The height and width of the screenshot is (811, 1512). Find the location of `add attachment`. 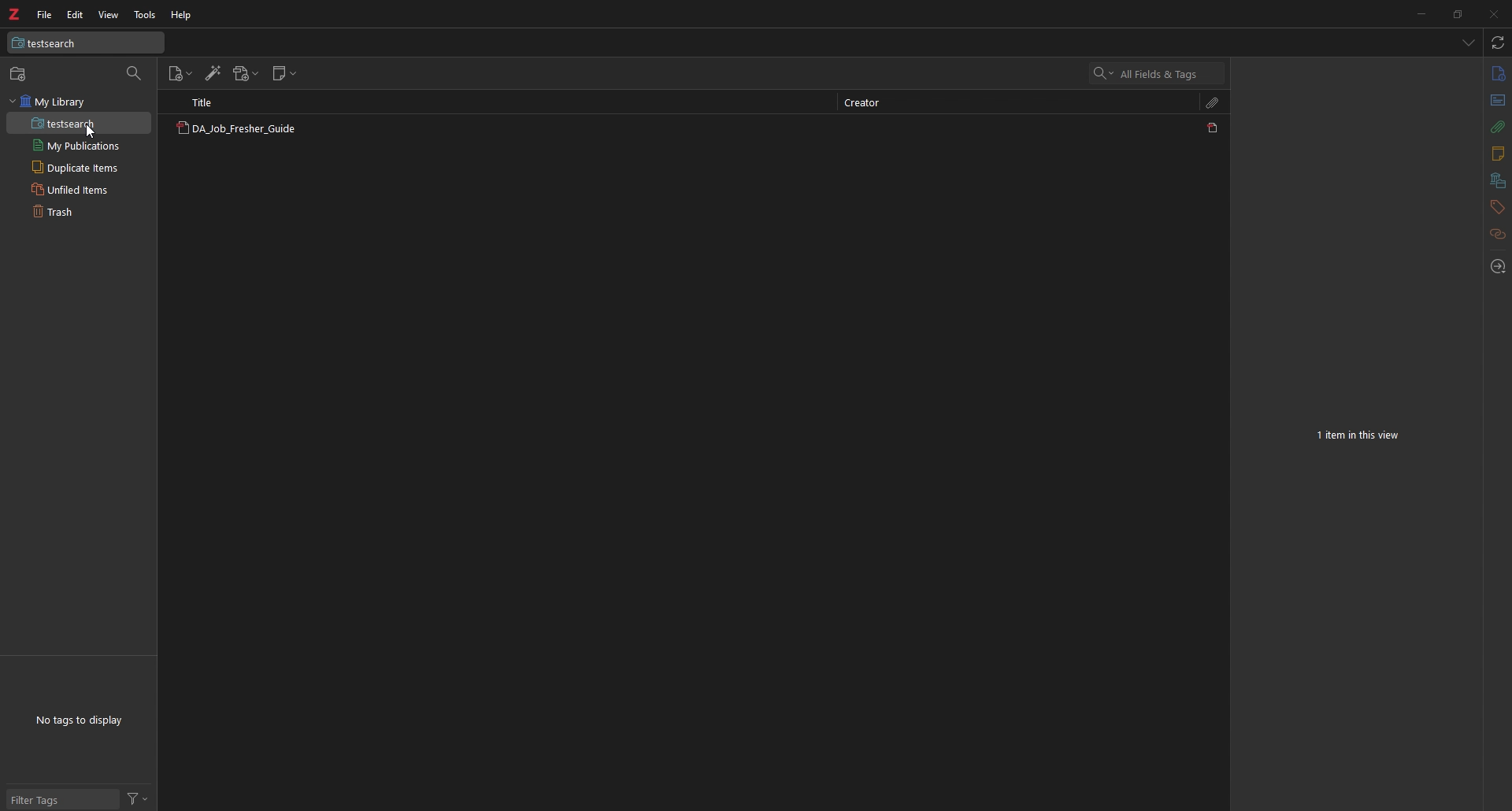

add attachment is located at coordinates (246, 73).